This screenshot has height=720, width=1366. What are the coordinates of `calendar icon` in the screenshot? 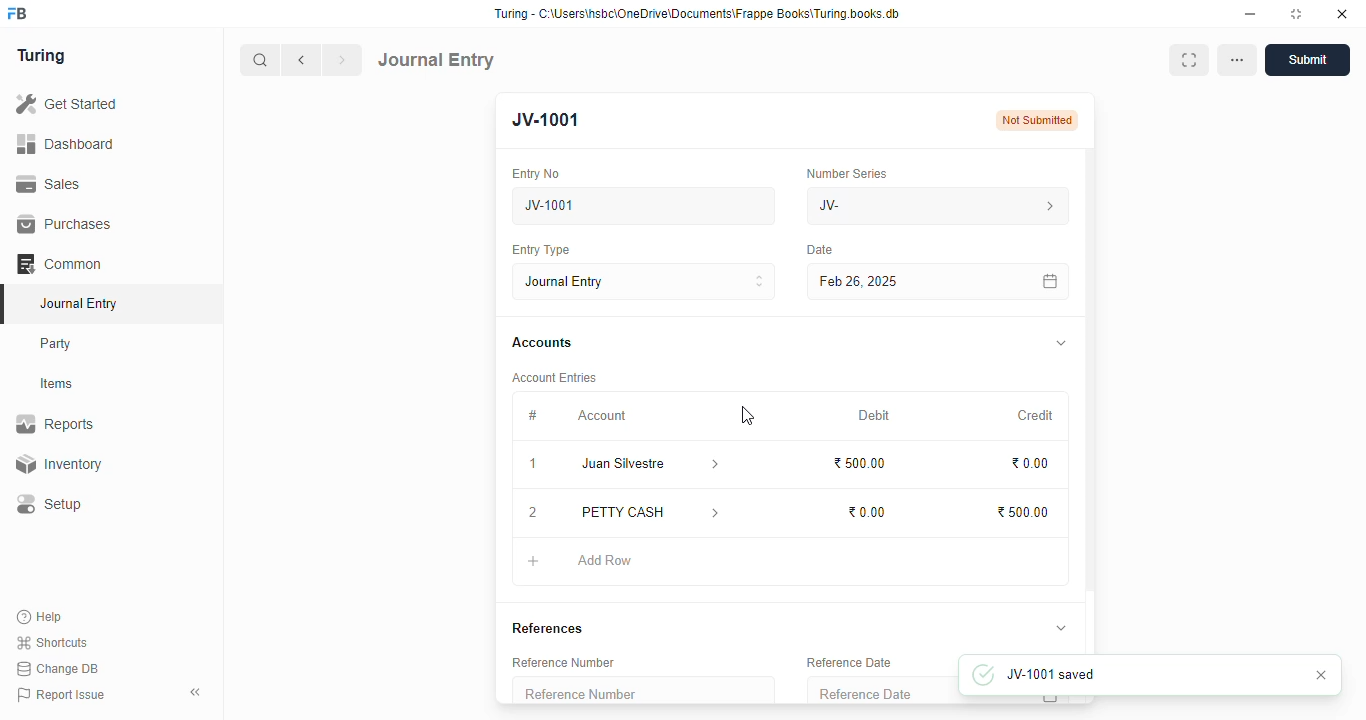 It's located at (1049, 281).